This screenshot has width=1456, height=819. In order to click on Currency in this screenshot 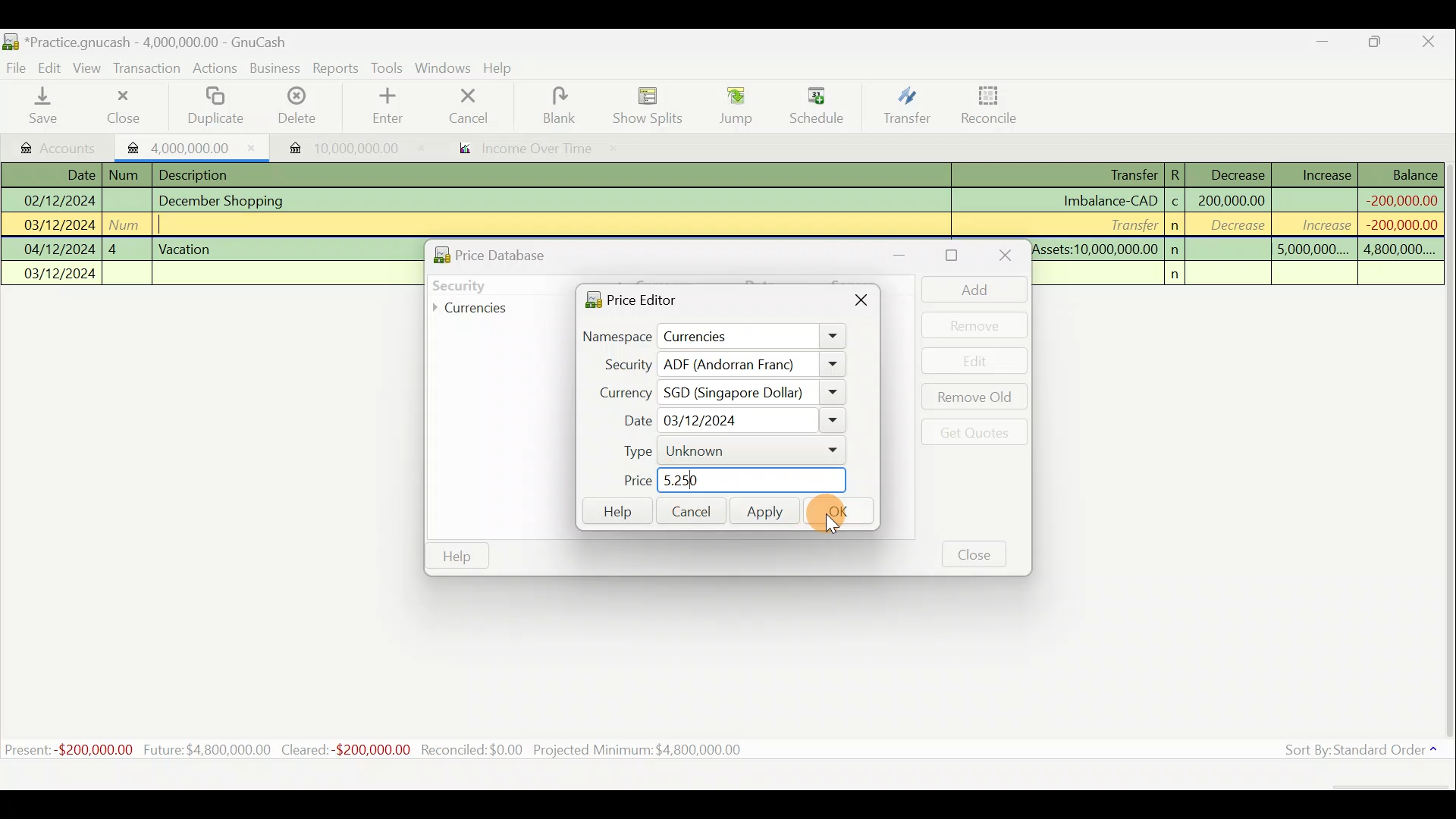, I will do `click(617, 391)`.